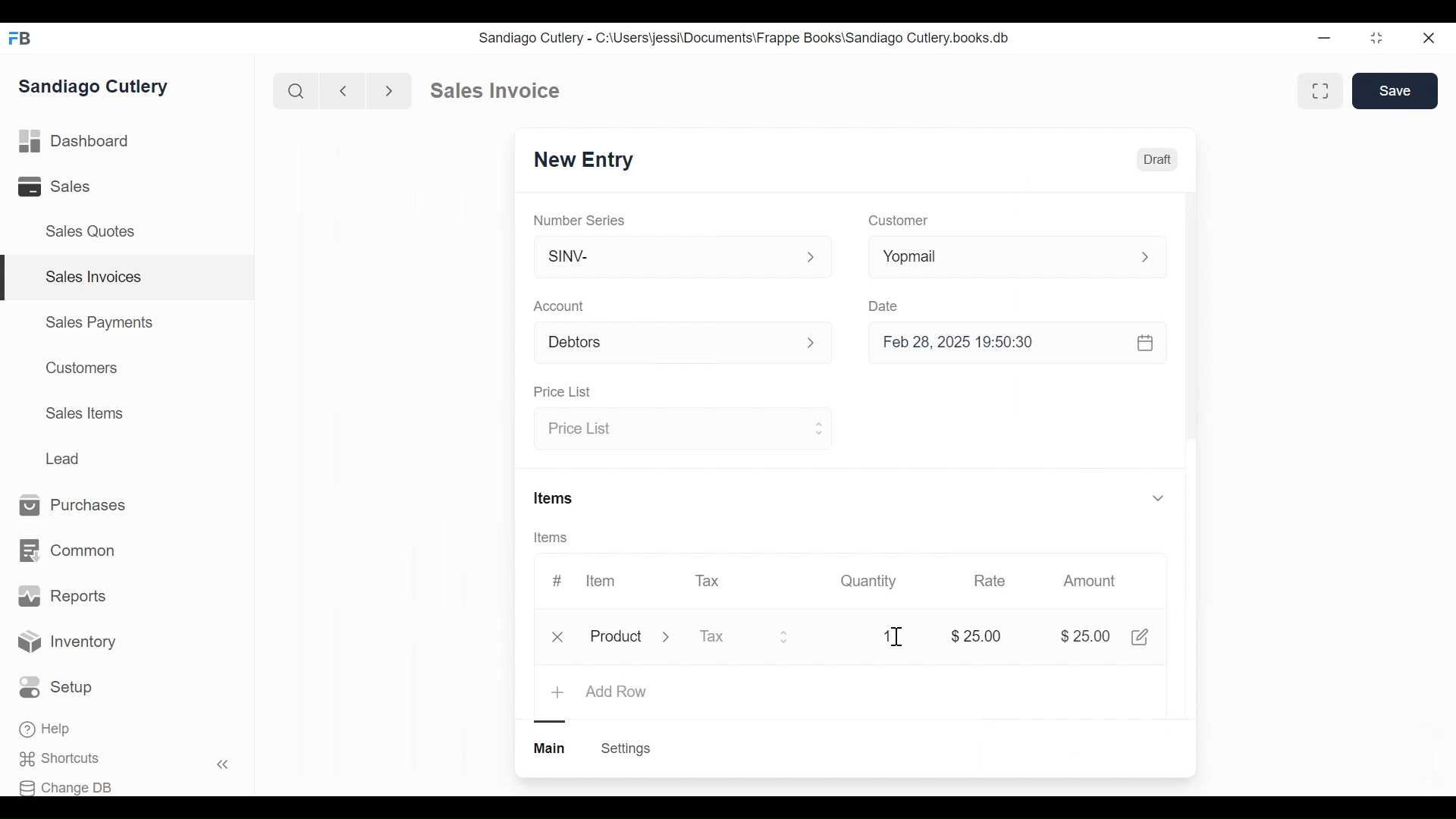 The height and width of the screenshot is (819, 1456). Describe the element at coordinates (1144, 637) in the screenshot. I see `share` at that location.